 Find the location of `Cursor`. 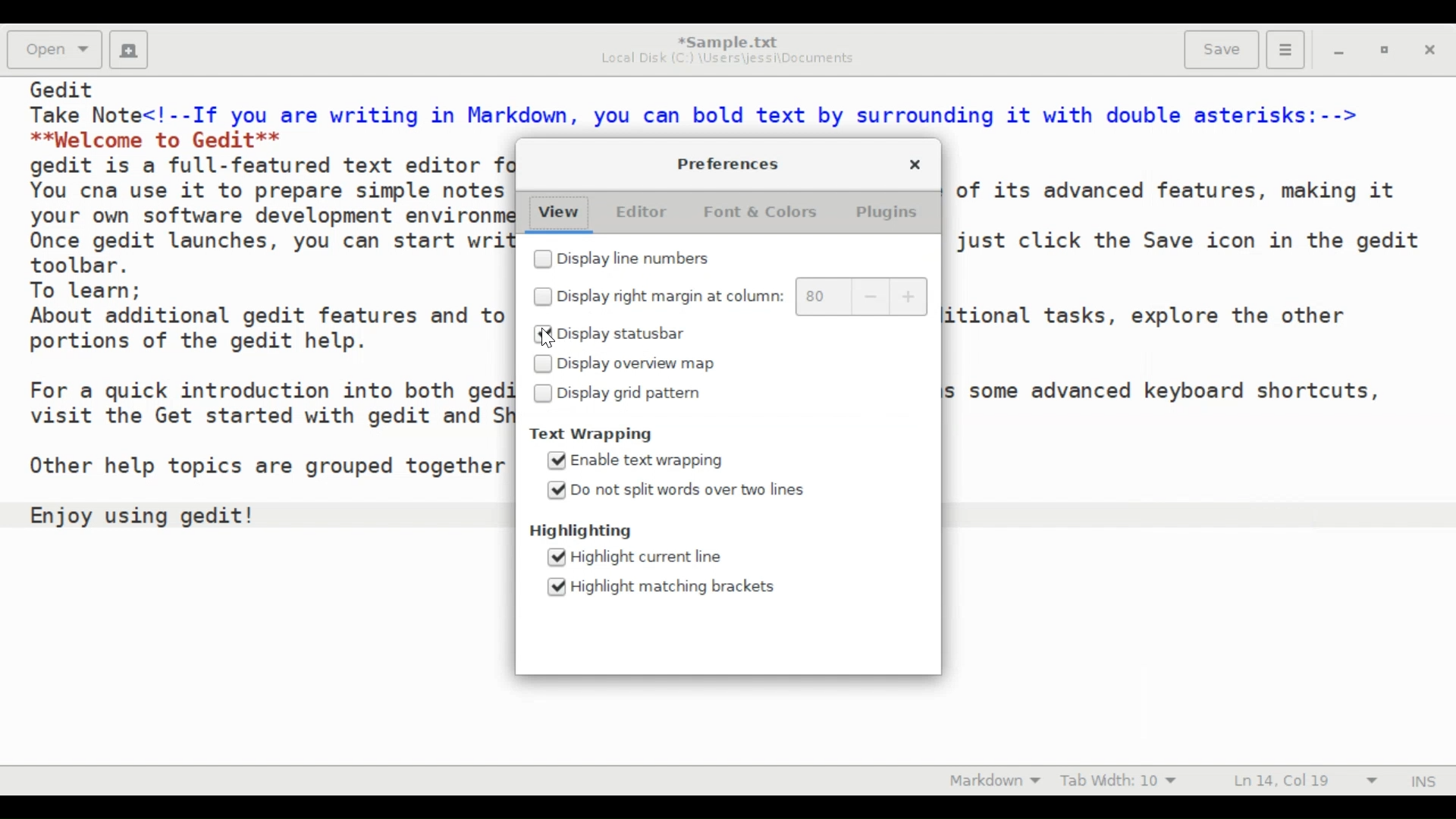

Cursor is located at coordinates (548, 338).